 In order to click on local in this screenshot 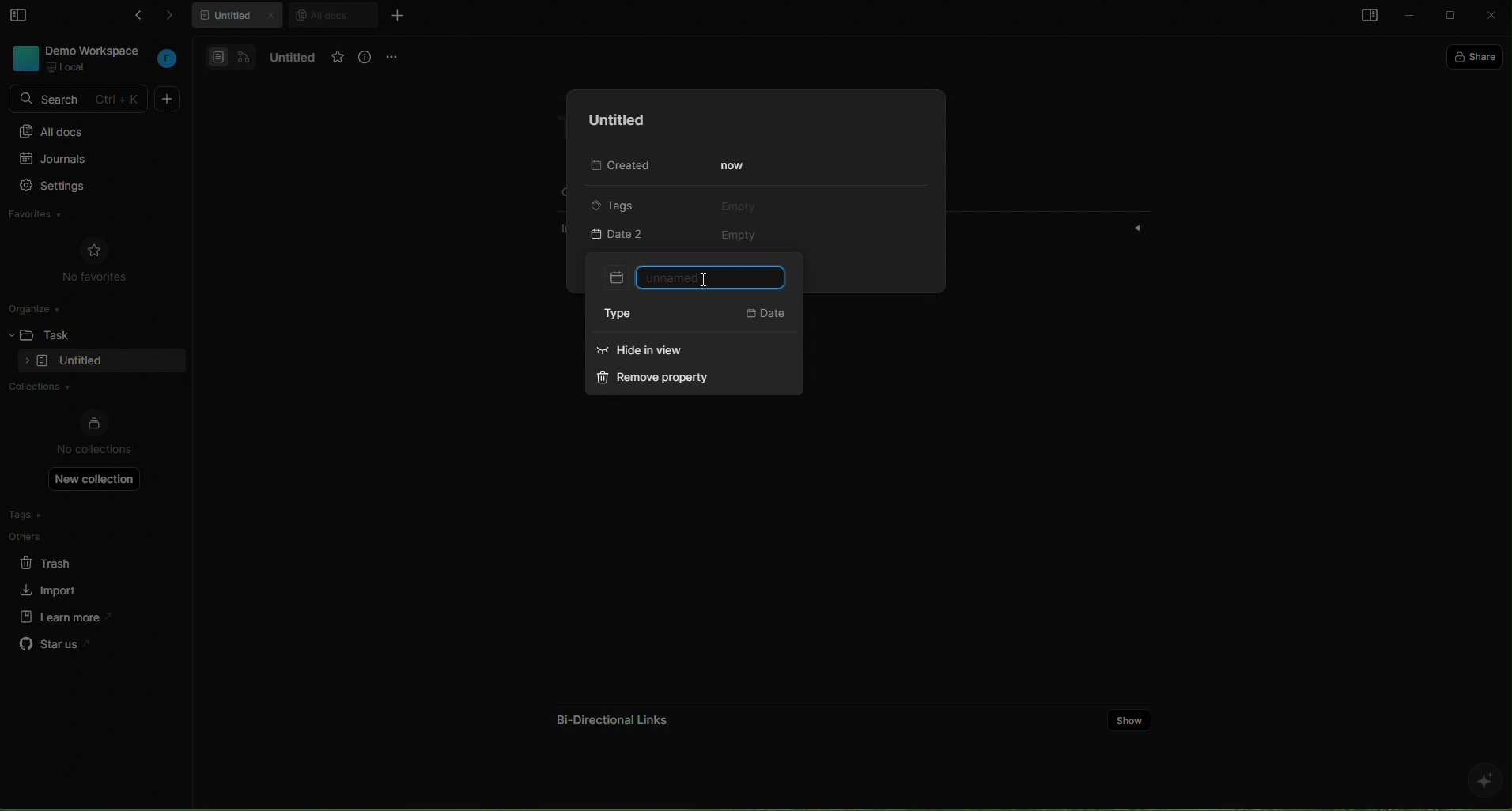, I will do `click(68, 67)`.